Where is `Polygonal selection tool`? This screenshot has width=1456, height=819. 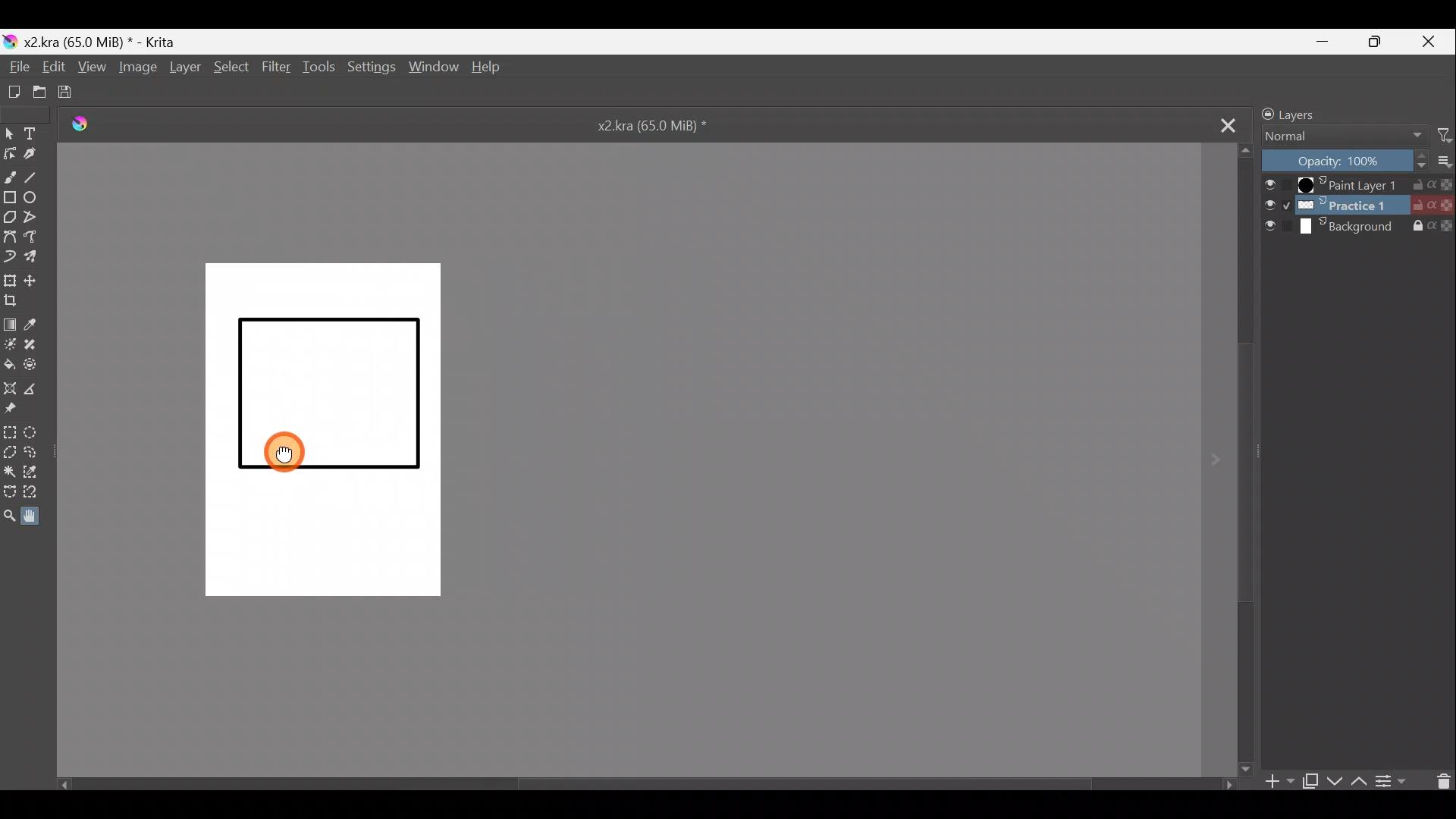 Polygonal selection tool is located at coordinates (11, 454).